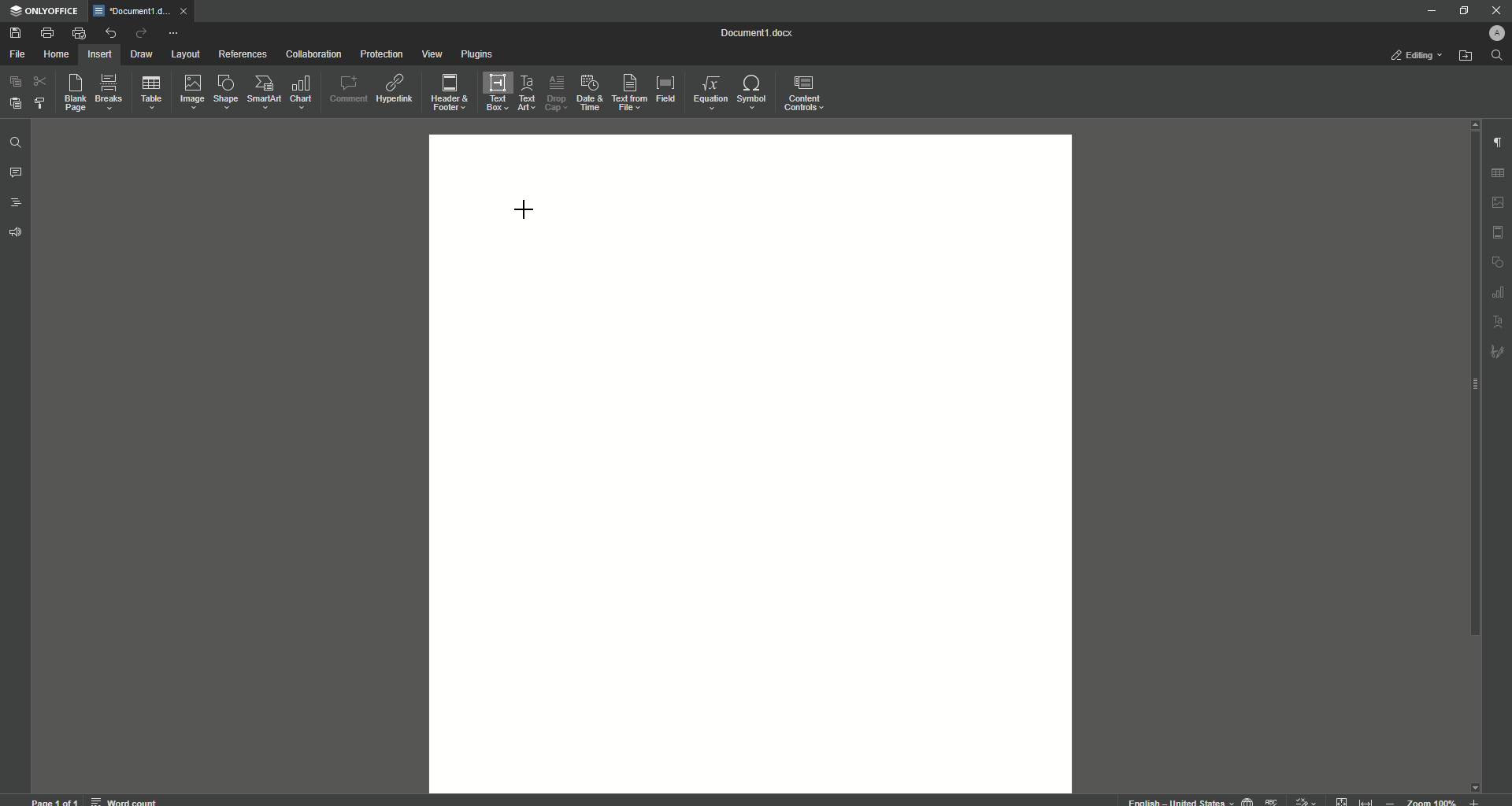  Describe the element at coordinates (1494, 33) in the screenshot. I see `Profile` at that location.